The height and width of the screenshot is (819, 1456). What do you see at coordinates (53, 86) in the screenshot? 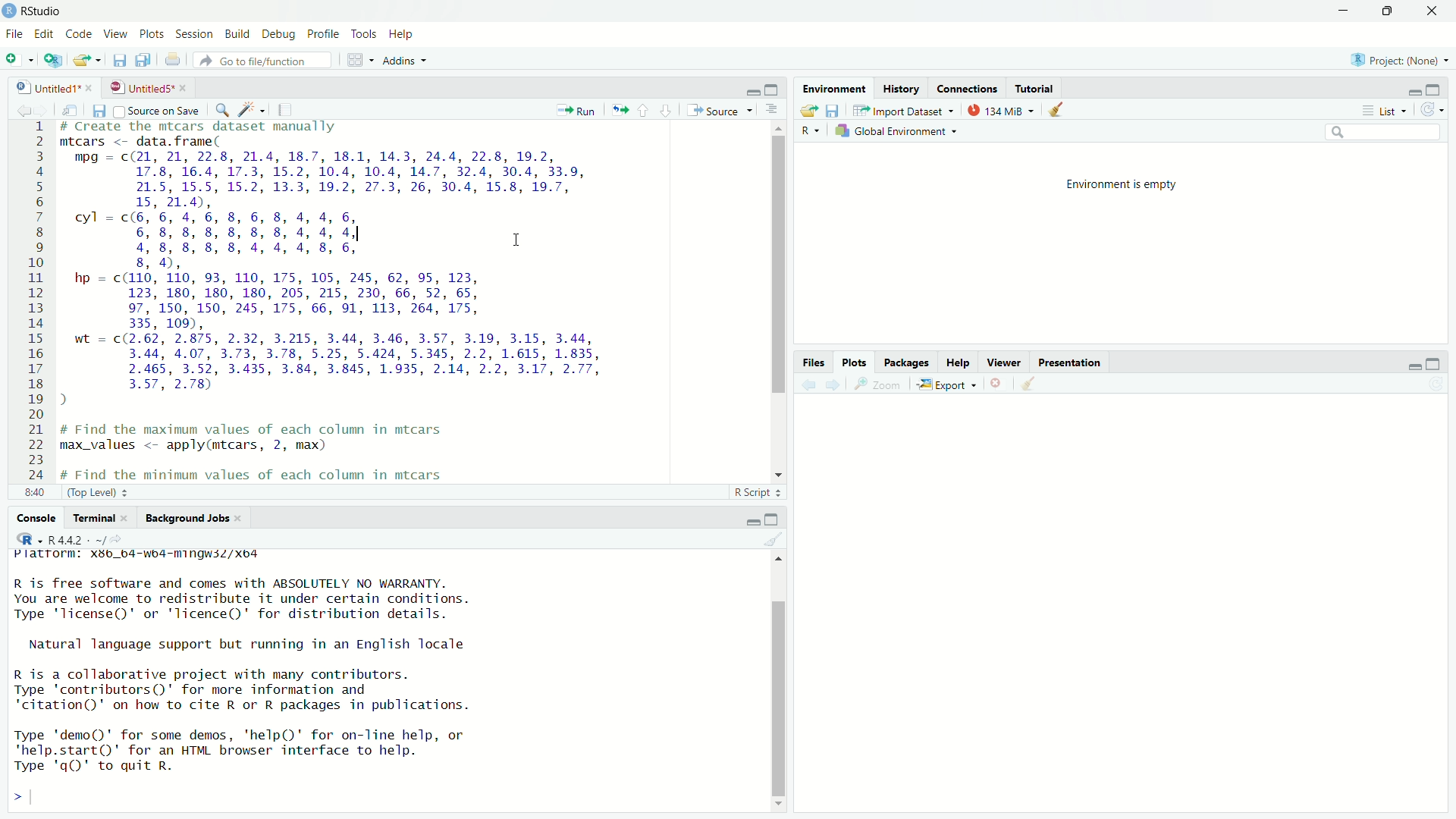
I see `) | Untitled1*` at bounding box center [53, 86].